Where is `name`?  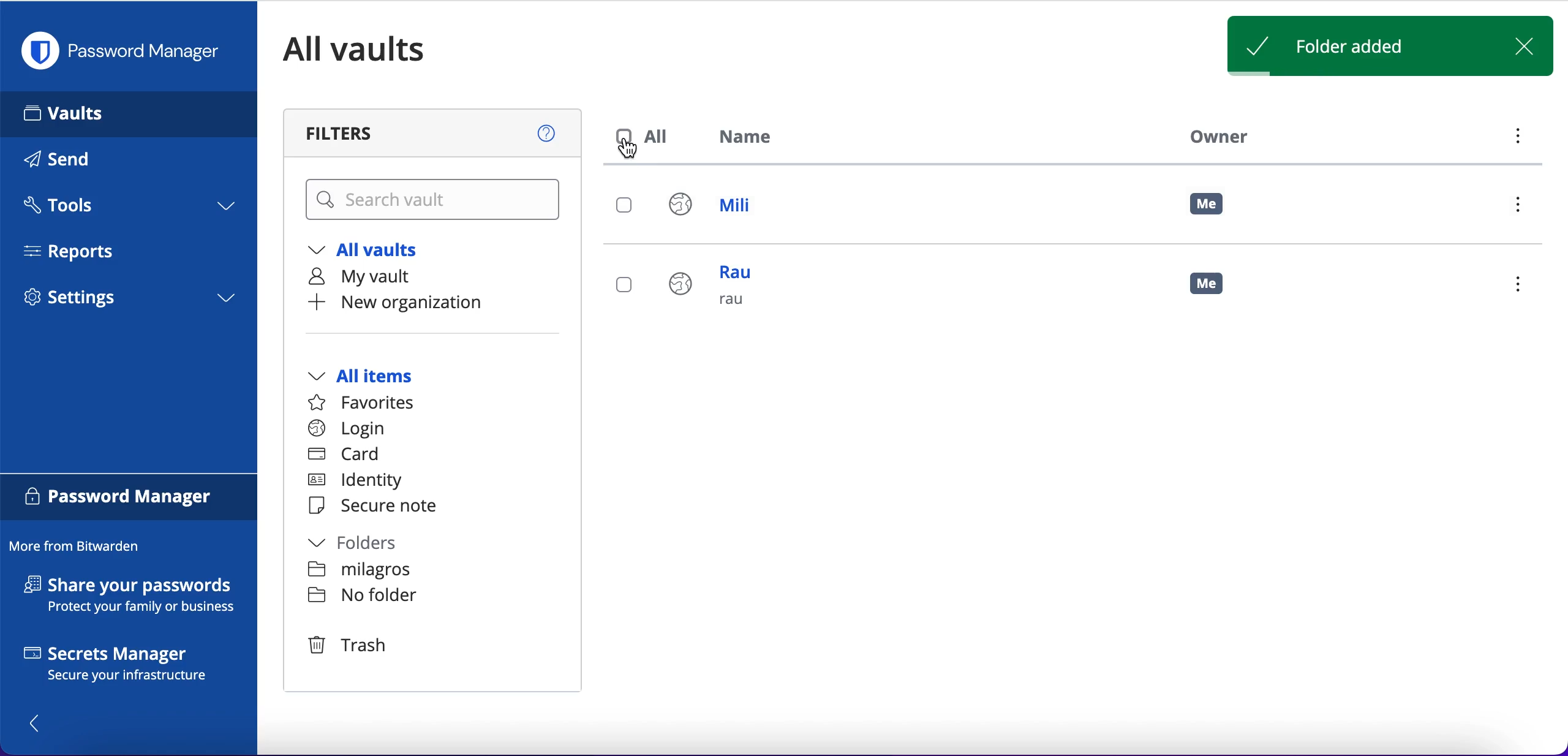
name is located at coordinates (753, 139).